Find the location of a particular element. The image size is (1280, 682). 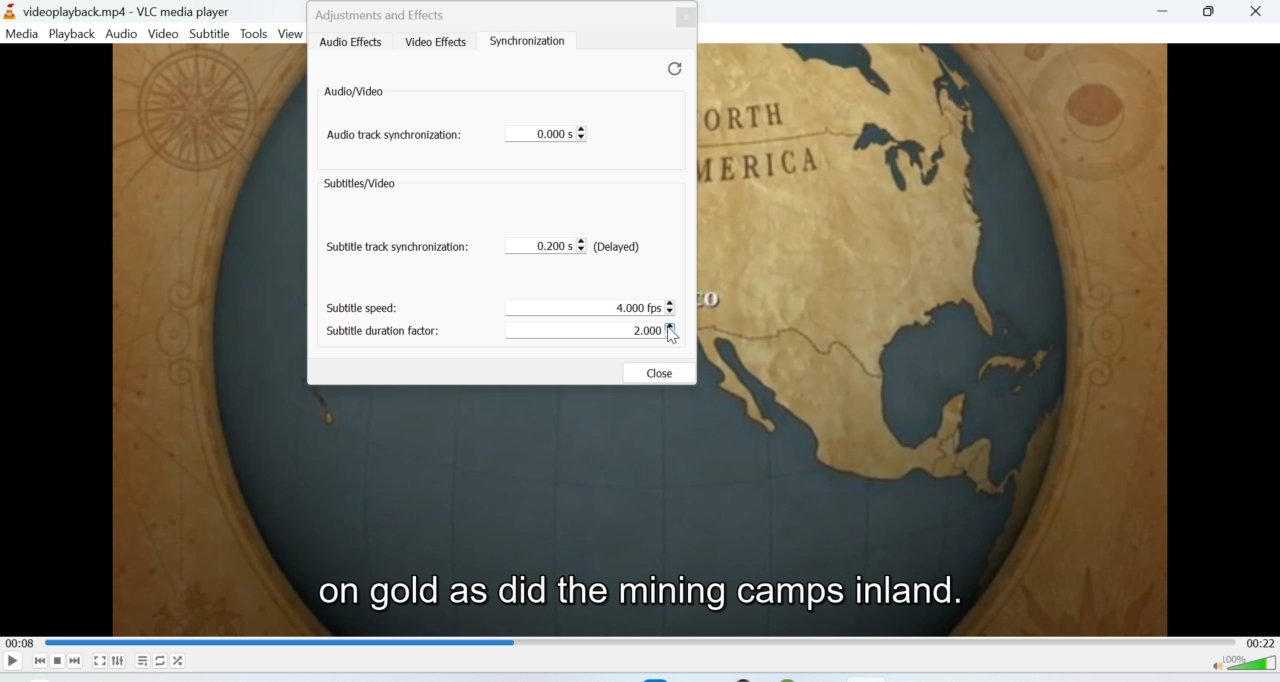

subtitle track synchronization: is located at coordinates (397, 248).